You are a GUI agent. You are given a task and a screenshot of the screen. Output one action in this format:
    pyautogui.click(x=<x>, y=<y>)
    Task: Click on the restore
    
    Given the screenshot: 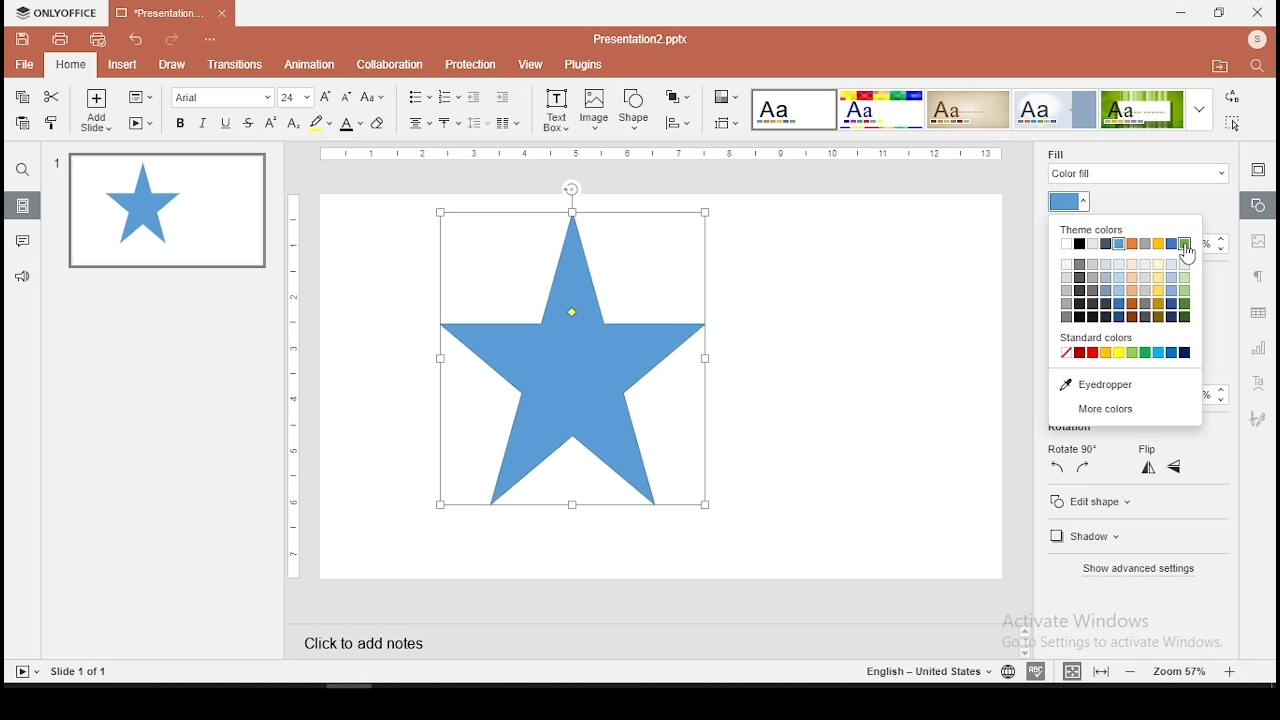 What is the action you would take?
    pyautogui.click(x=1220, y=13)
    